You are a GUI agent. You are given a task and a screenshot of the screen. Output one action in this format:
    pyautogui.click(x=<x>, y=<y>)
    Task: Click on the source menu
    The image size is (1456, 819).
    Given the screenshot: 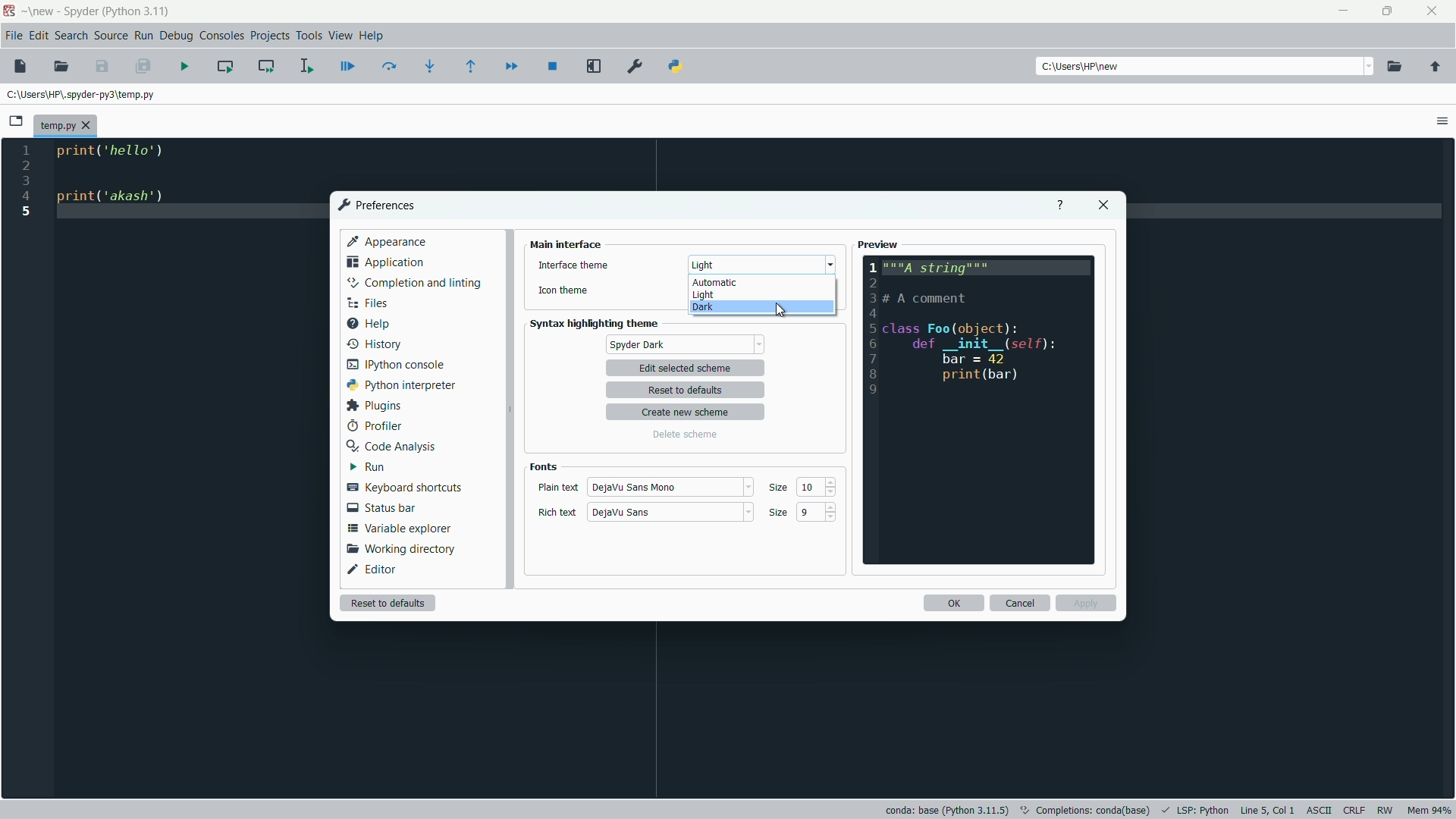 What is the action you would take?
    pyautogui.click(x=112, y=35)
    